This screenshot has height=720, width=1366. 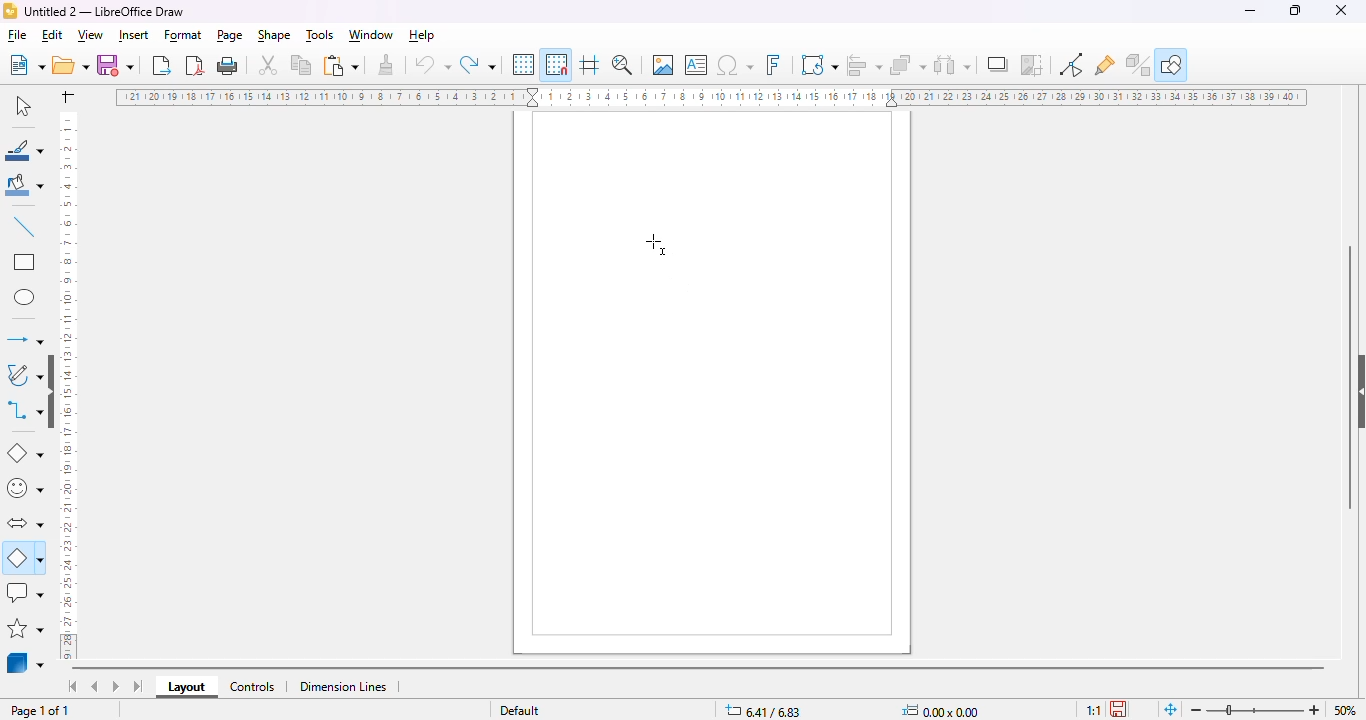 What do you see at coordinates (26, 263) in the screenshot?
I see `rectangle` at bounding box center [26, 263].